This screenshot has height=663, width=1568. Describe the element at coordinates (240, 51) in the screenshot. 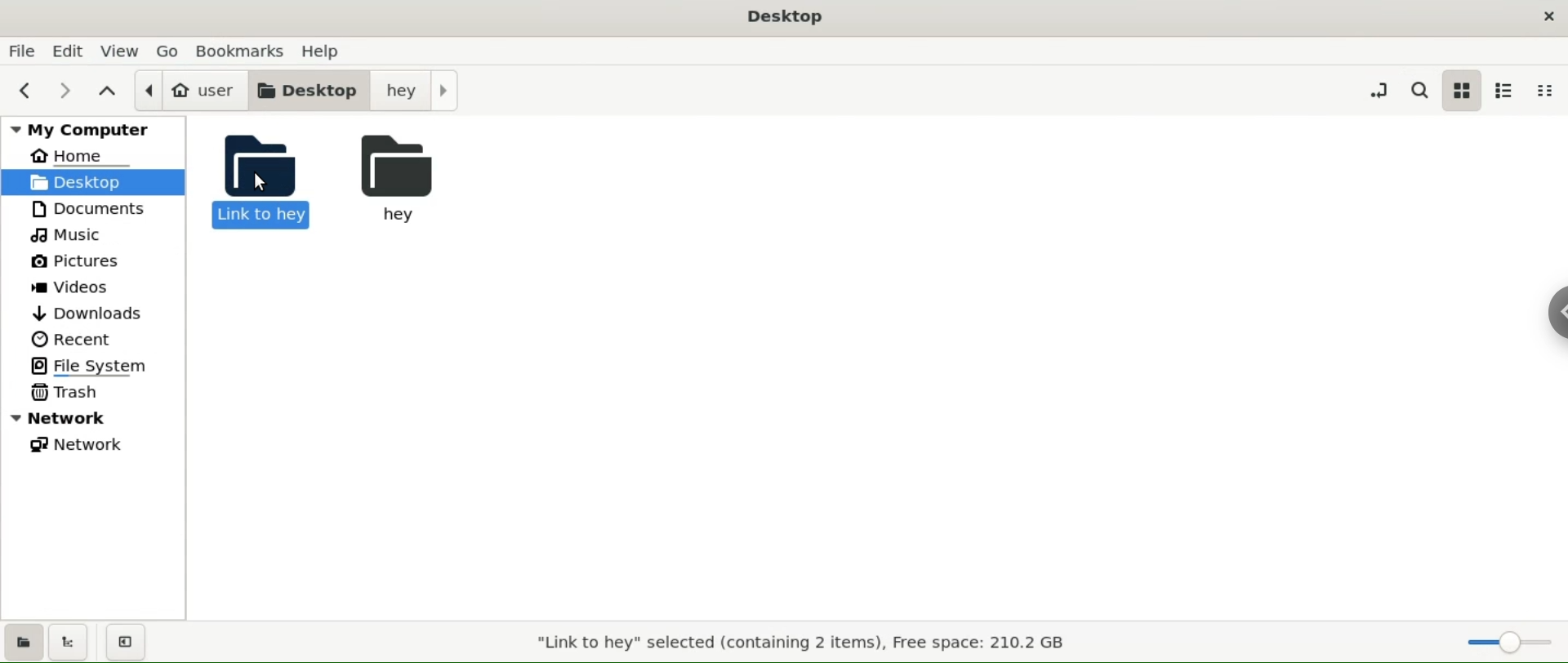

I see `bookamrks` at that location.